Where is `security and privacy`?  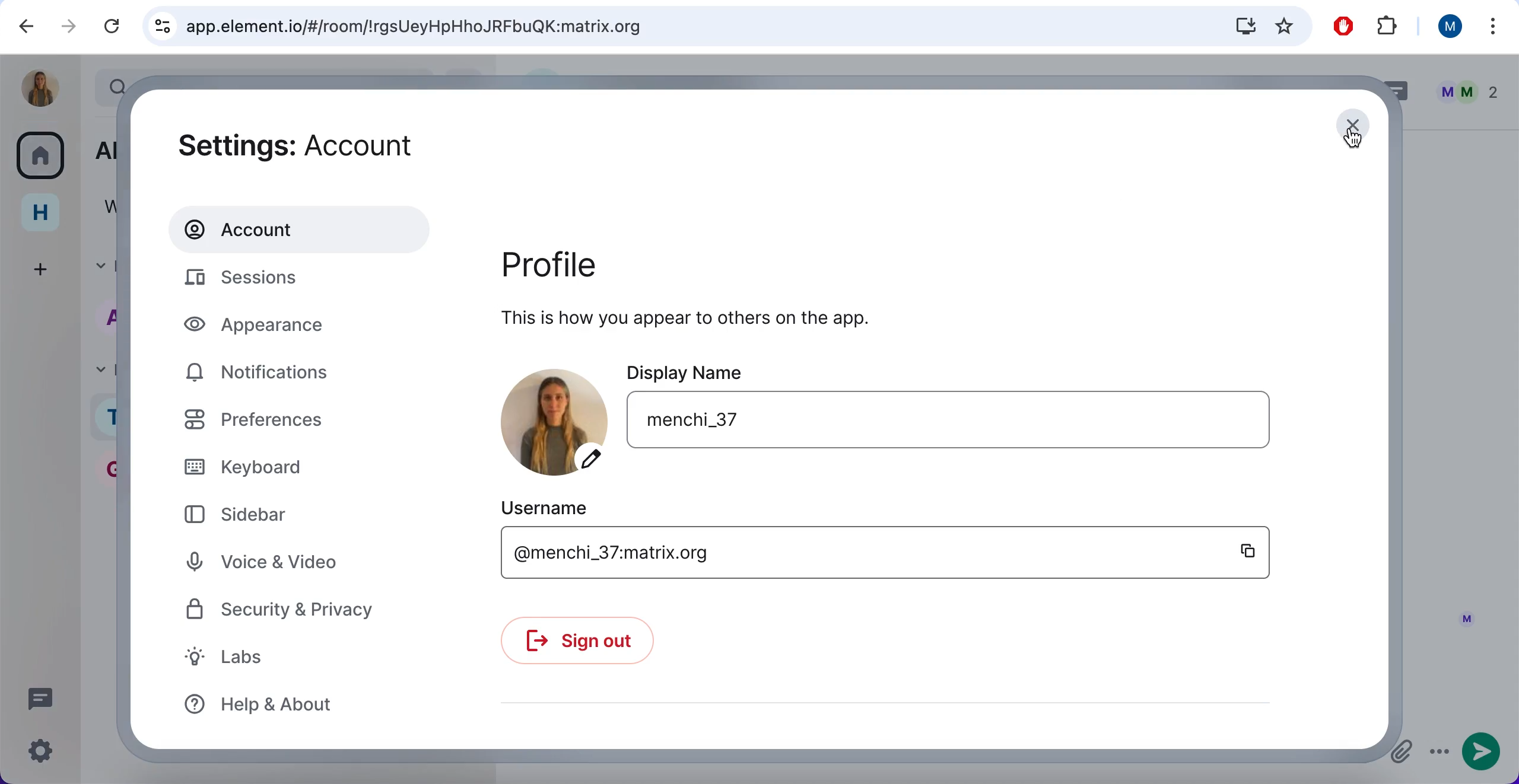
security and privacy is located at coordinates (309, 613).